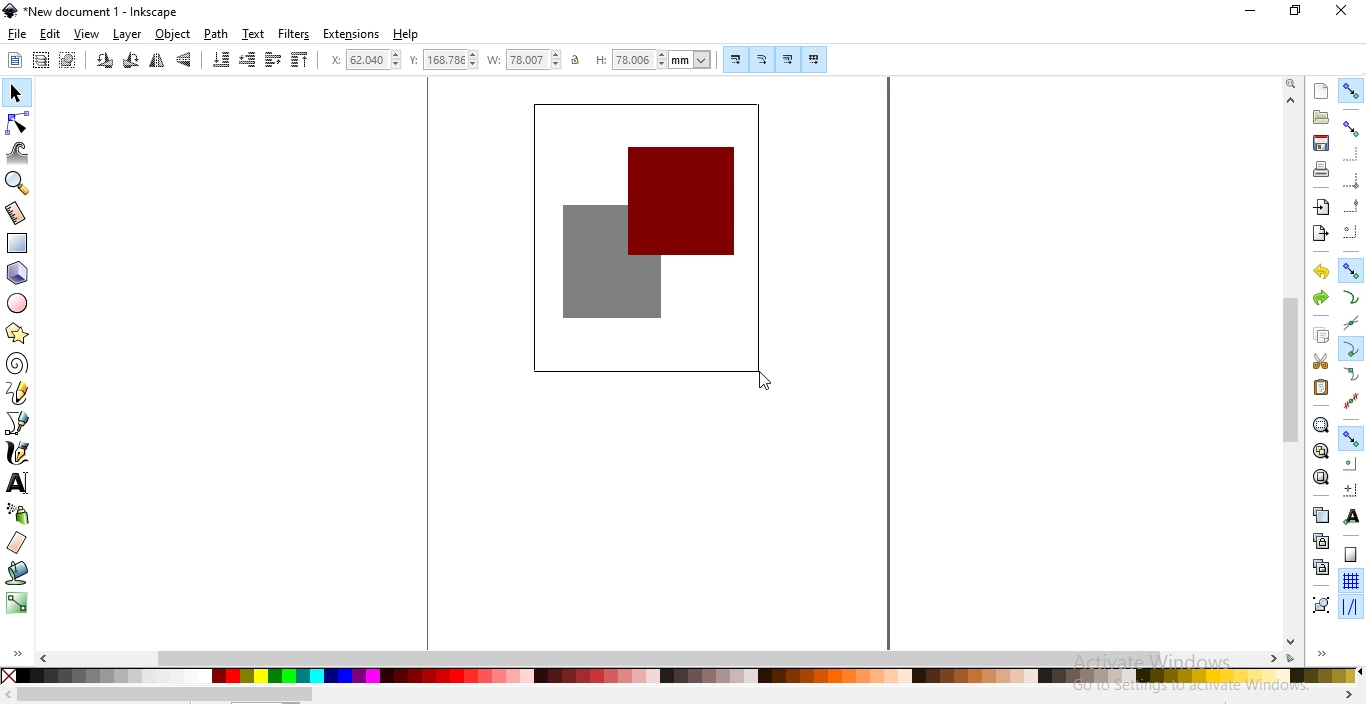  Describe the element at coordinates (127, 35) in the screenshot. I see `layer` at that location.